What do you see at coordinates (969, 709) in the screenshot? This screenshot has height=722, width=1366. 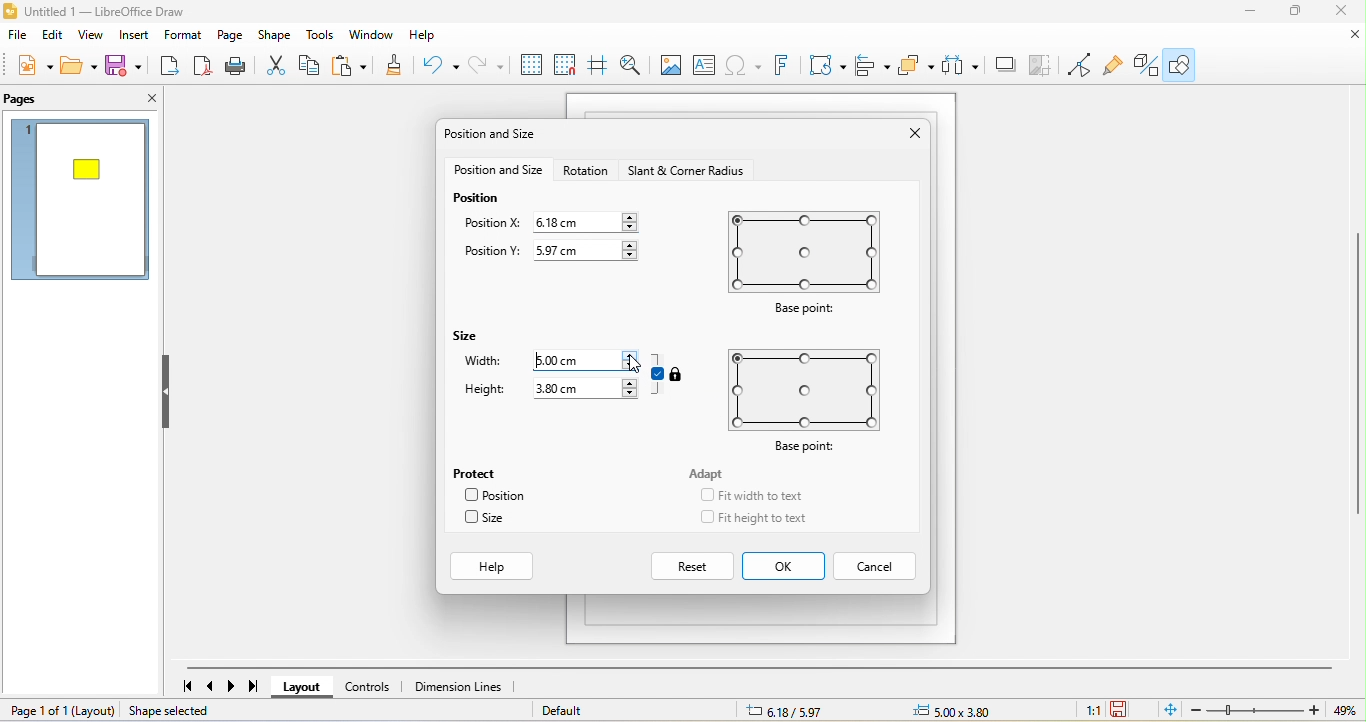 I see `0.00 x0.00` at bounding box center [969, 709].